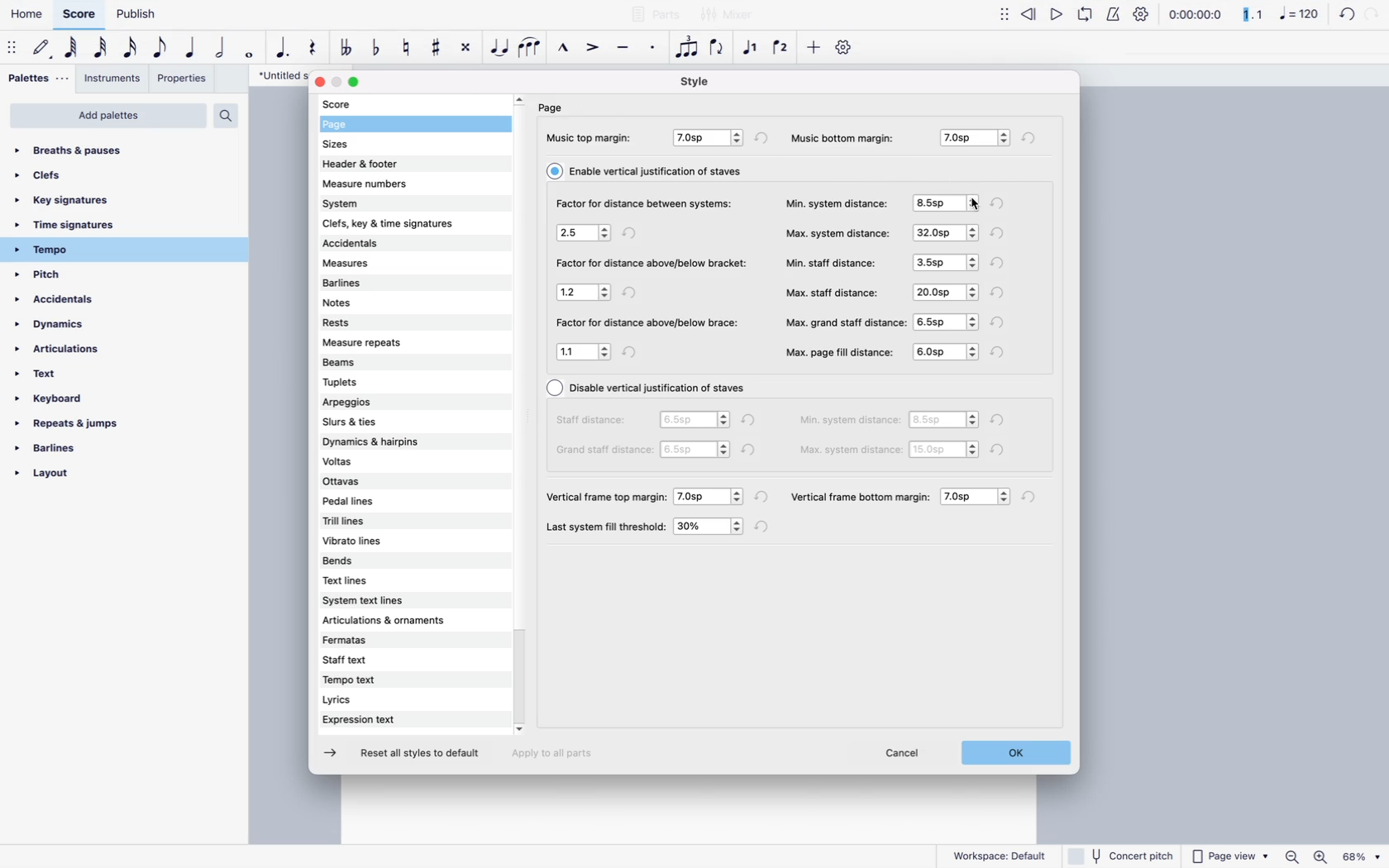 This screenshot has height=868, width=1389. What do you see at coordinates (377, 284) in the screenshot?
I see `barlines` at bounding box center [377, 284].